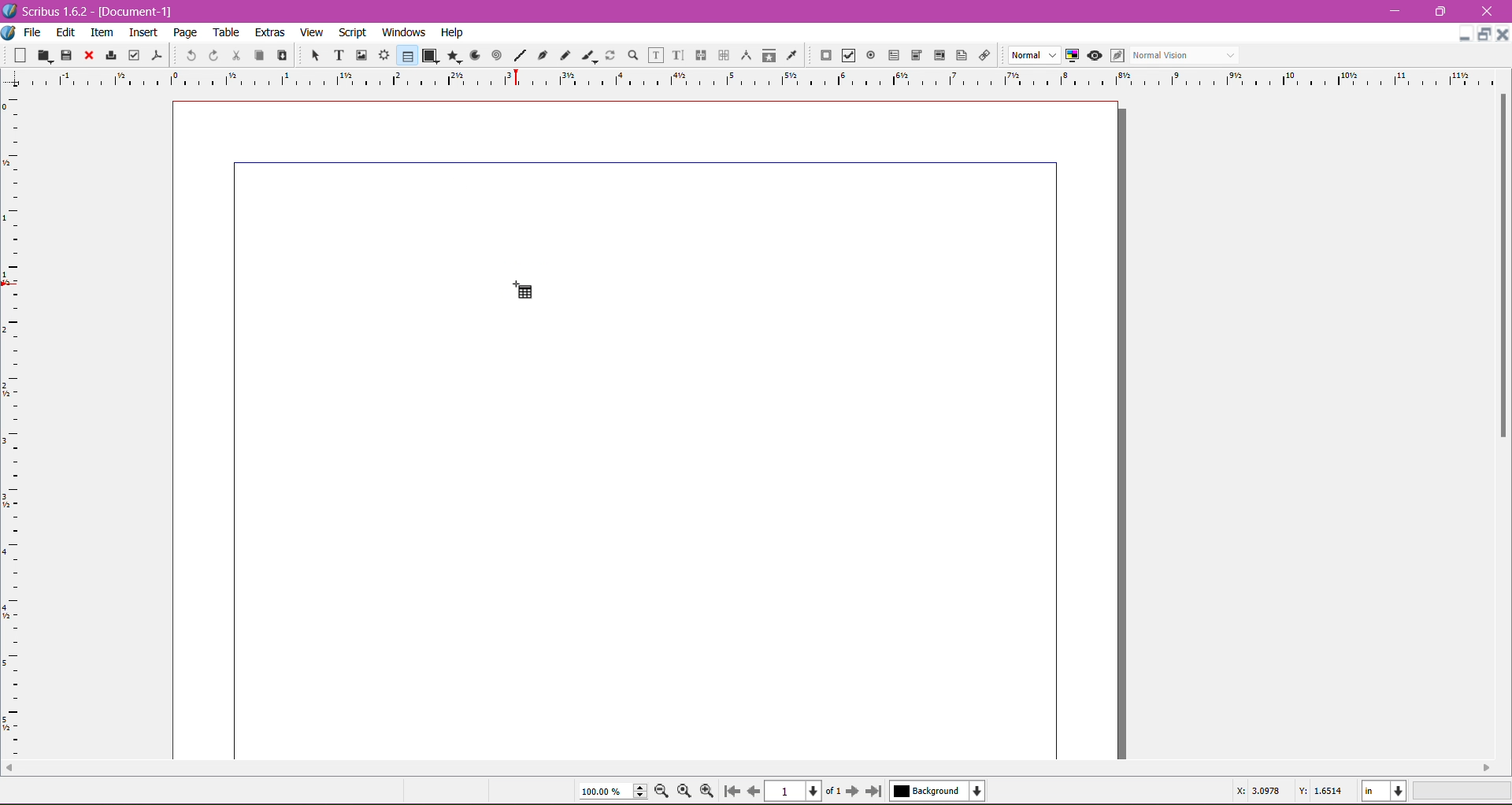 This screenshot has width=1512, height=805. I want to click on Image Frame, so click(359, 54).